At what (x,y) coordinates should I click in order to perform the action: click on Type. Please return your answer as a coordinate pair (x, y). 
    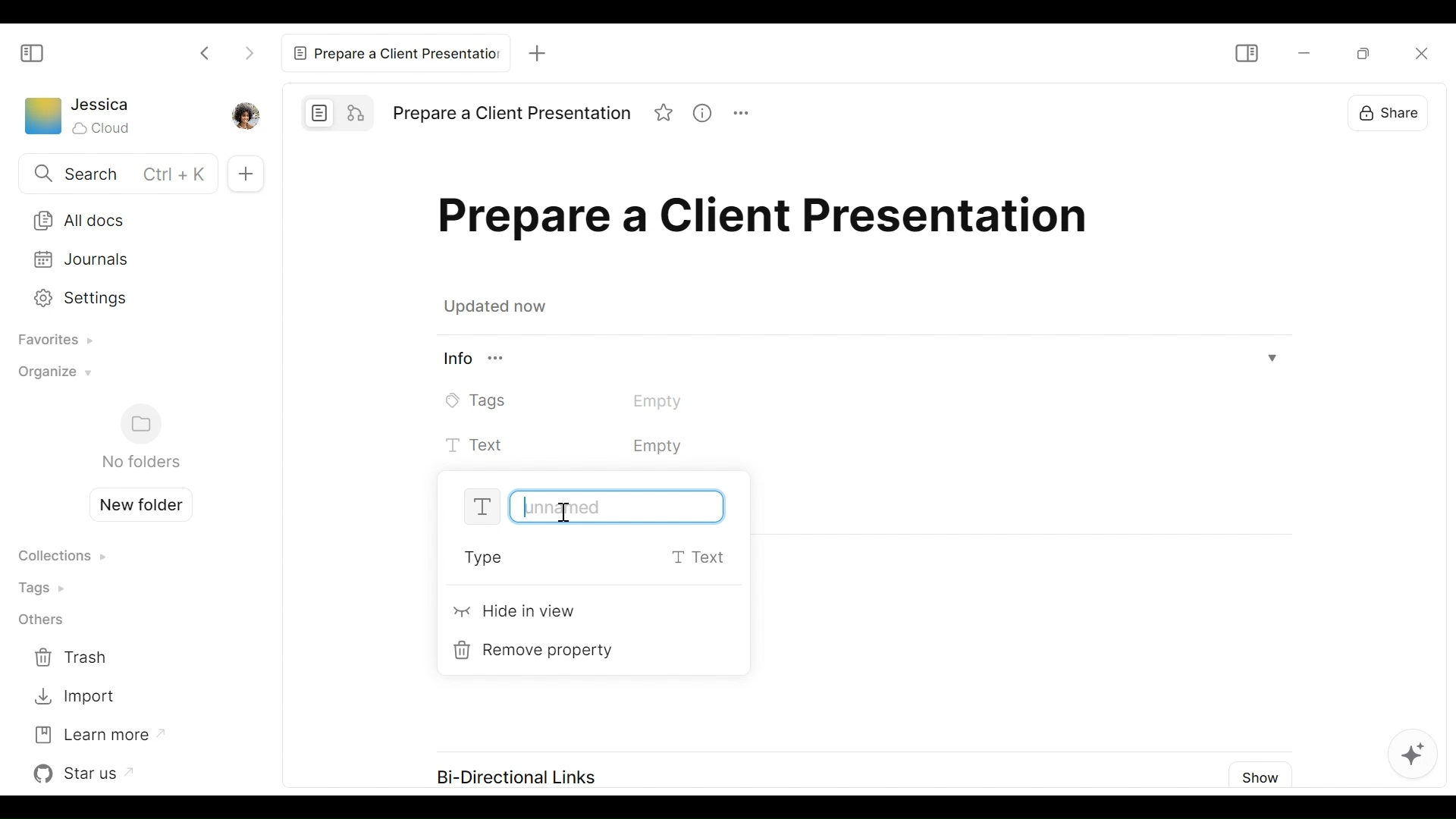
    Looking at the image, I should click on (595, 559).